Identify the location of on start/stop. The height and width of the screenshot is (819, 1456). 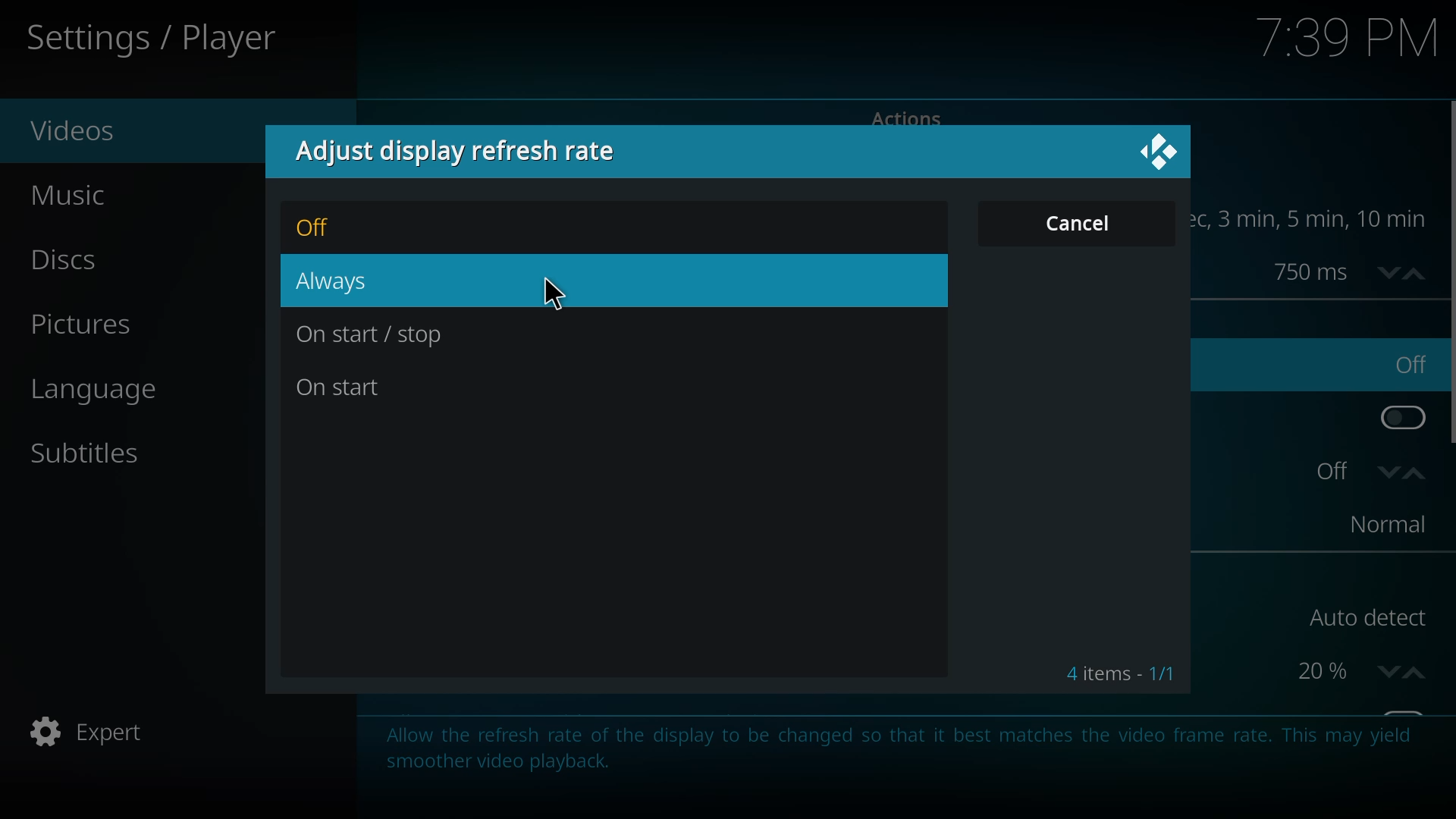
(371, 336).